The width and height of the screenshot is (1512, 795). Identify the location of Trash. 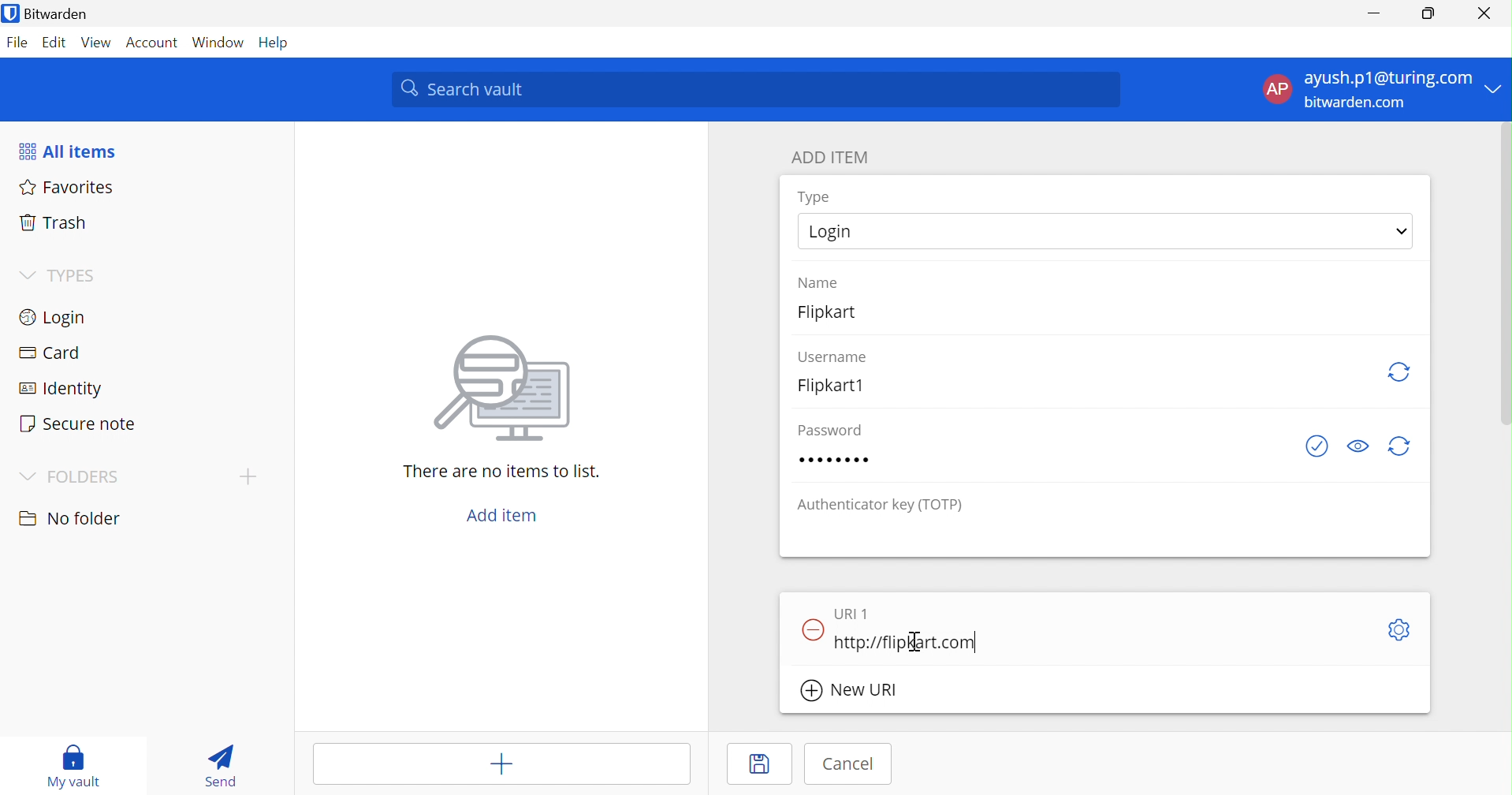
(50, 223).